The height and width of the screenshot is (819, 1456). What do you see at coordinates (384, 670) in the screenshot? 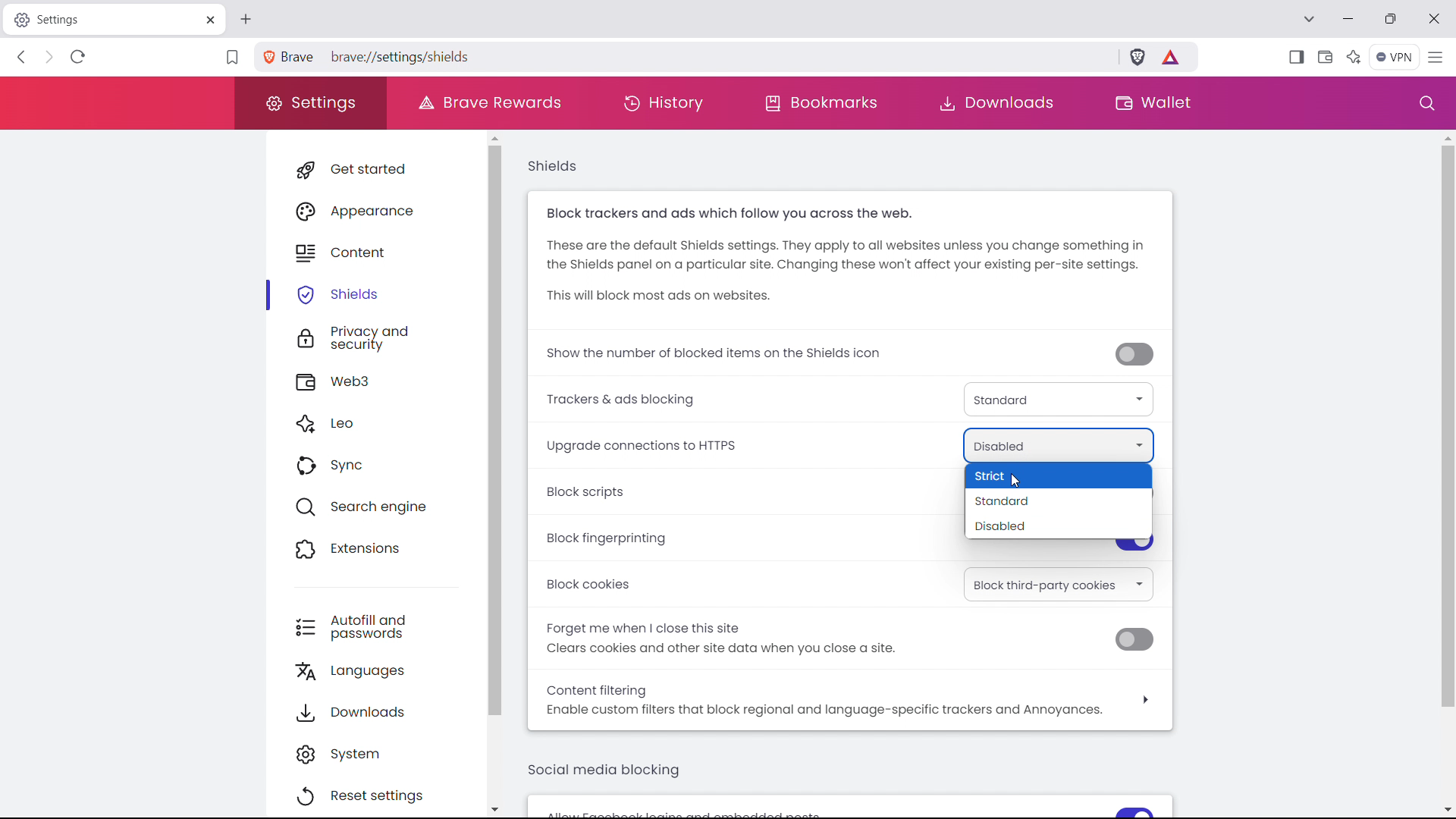
I see `languages` at bounding box center [384, 670].